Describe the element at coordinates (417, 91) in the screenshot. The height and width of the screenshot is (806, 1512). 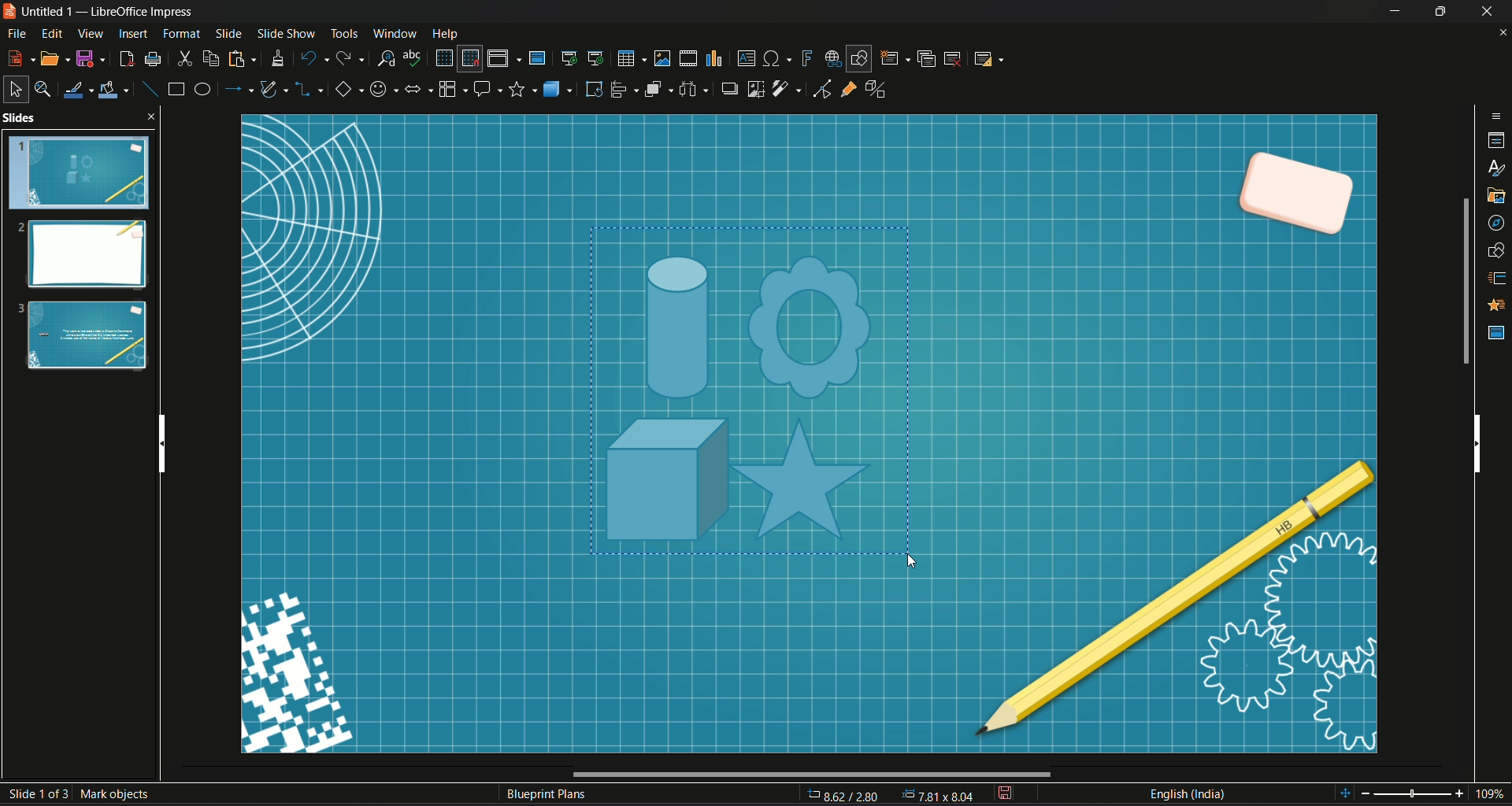
I see `block arrows` at that location.